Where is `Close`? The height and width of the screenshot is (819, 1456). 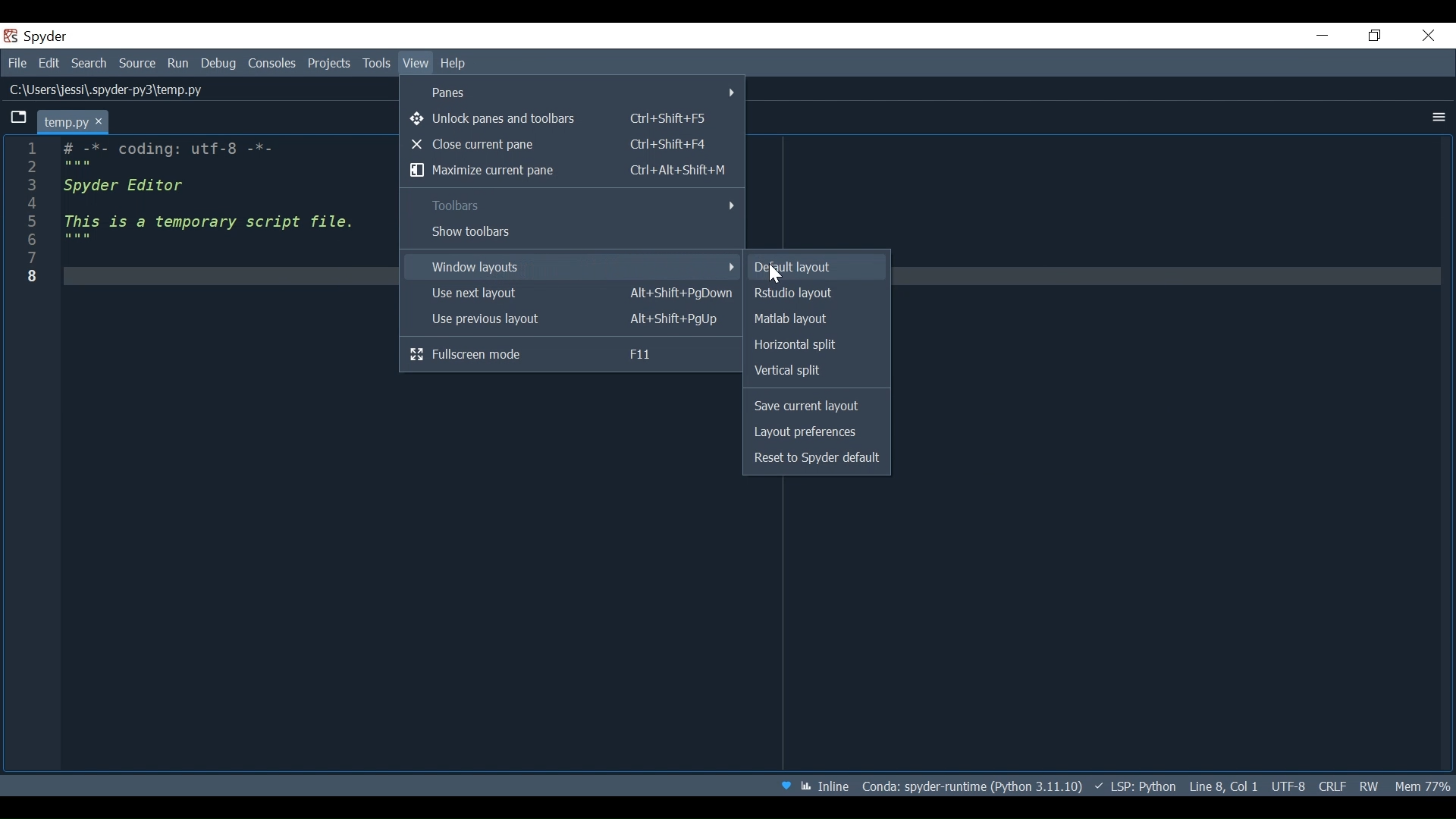
Close is located at coordinates (1427, 36).